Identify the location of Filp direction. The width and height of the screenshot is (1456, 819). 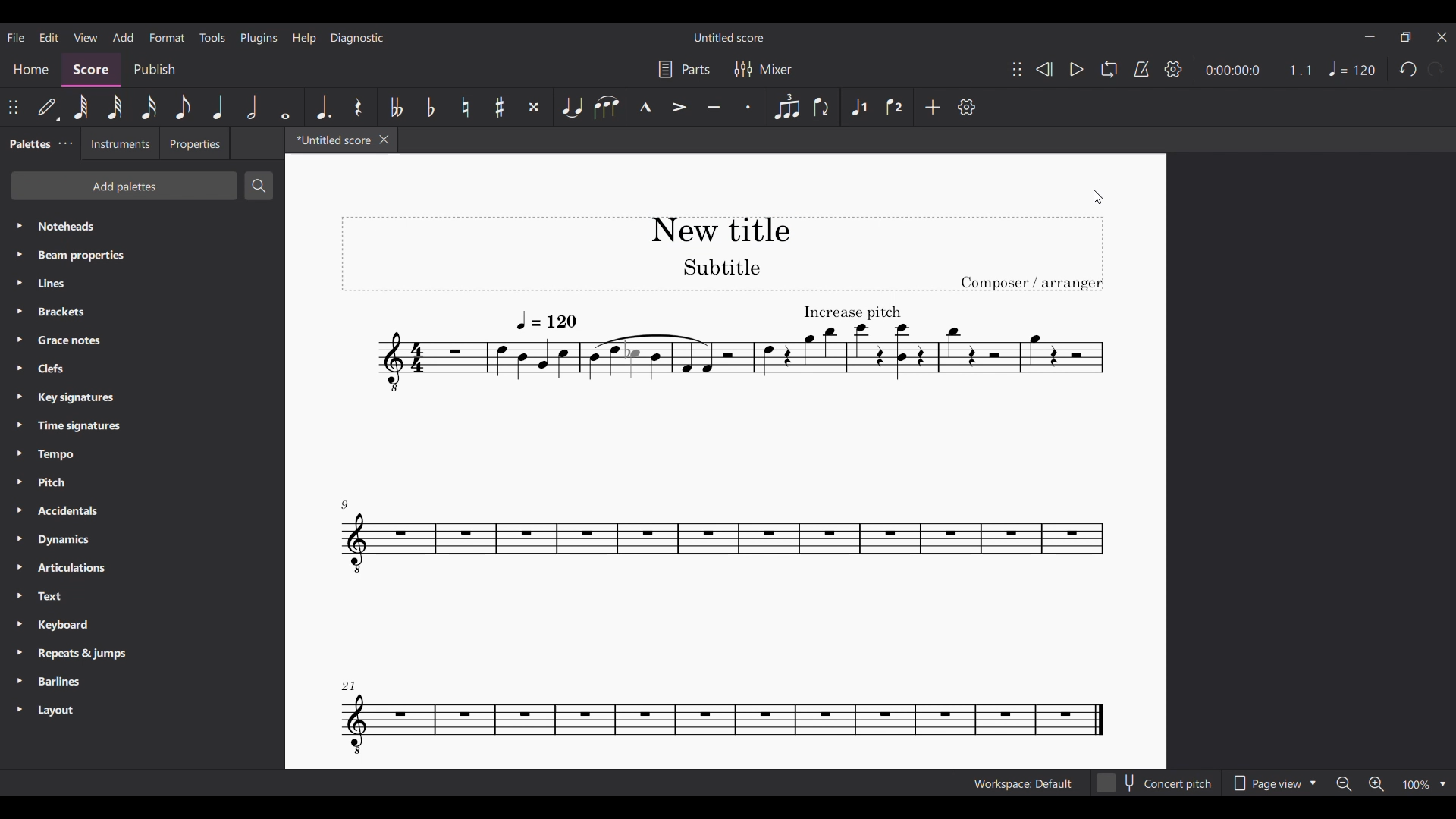
(821, 107).